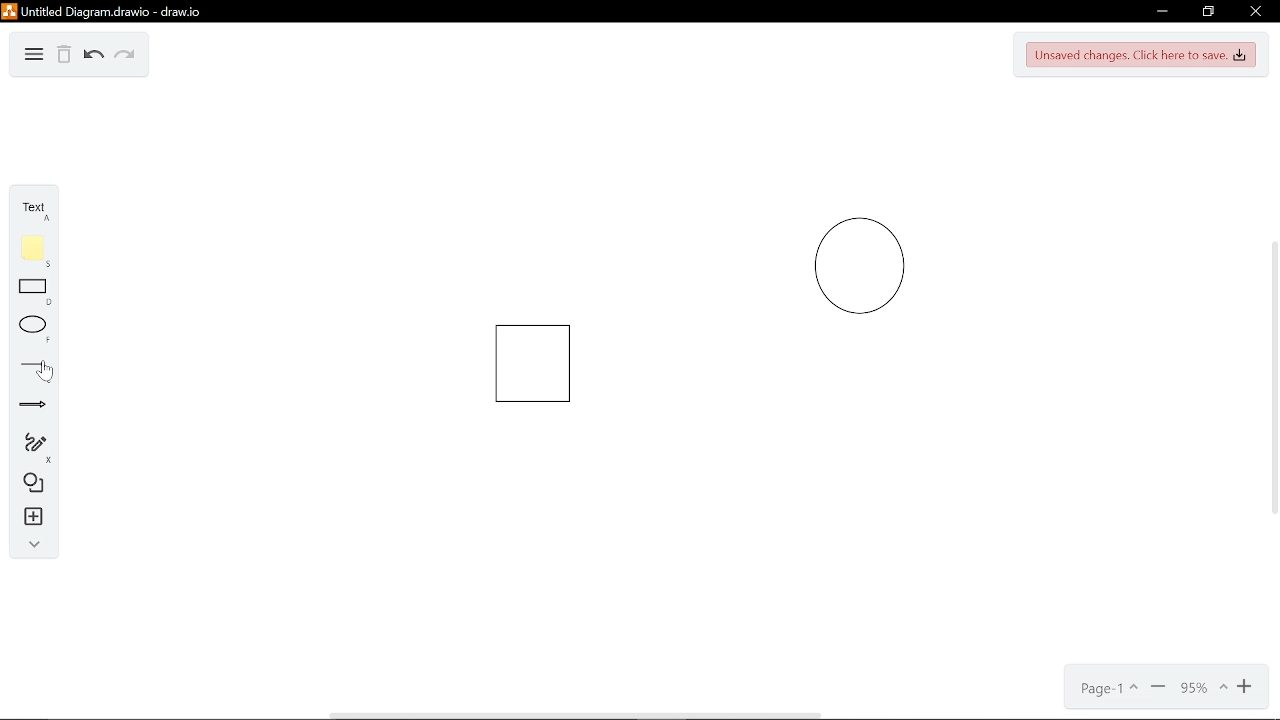 This screenshot has height=720, width=1280. What do you see at coordinates (1254, 12) in the screenshot?
I see `CLose` at bounding box center [1254, 12].